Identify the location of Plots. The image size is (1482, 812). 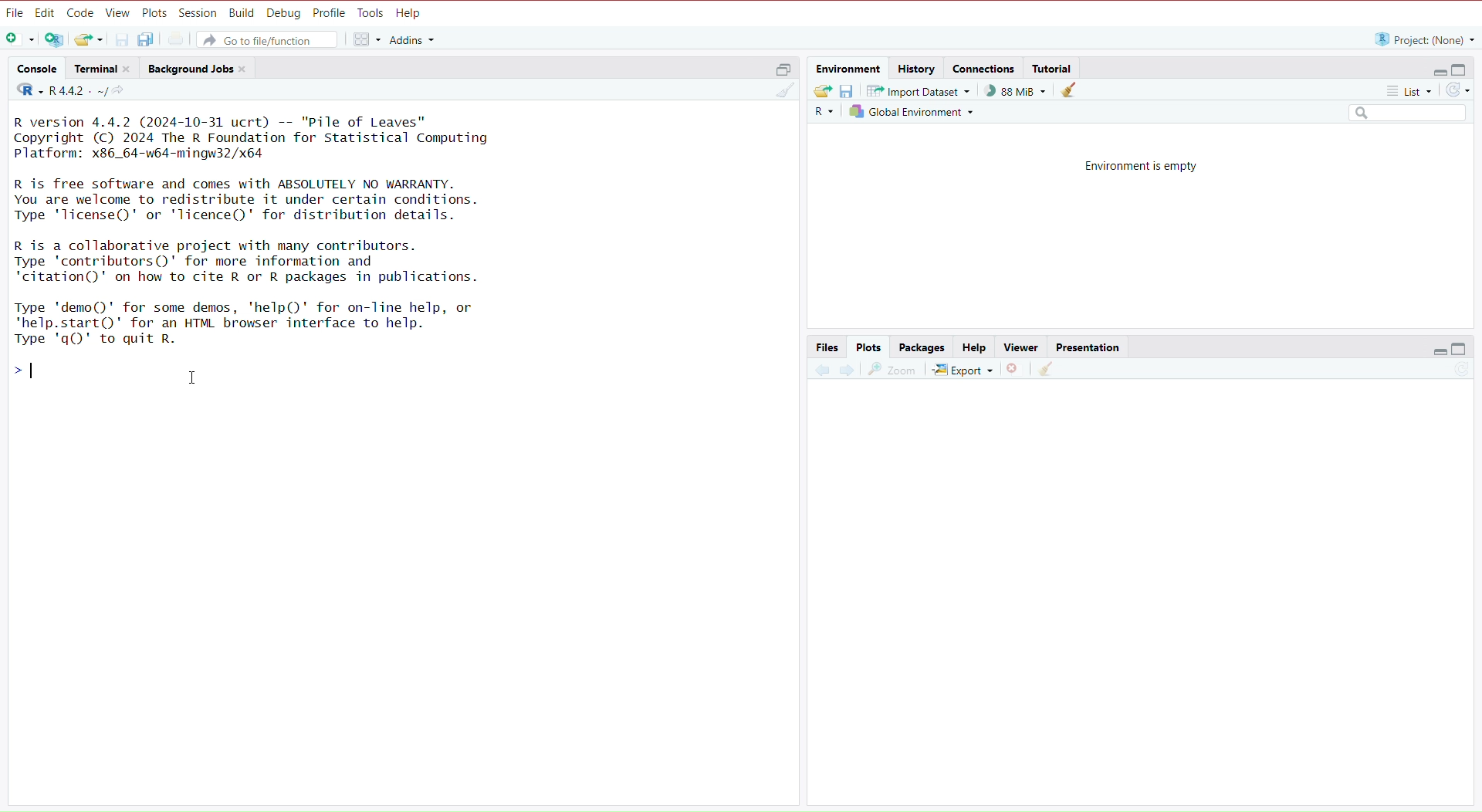
(155, 12).